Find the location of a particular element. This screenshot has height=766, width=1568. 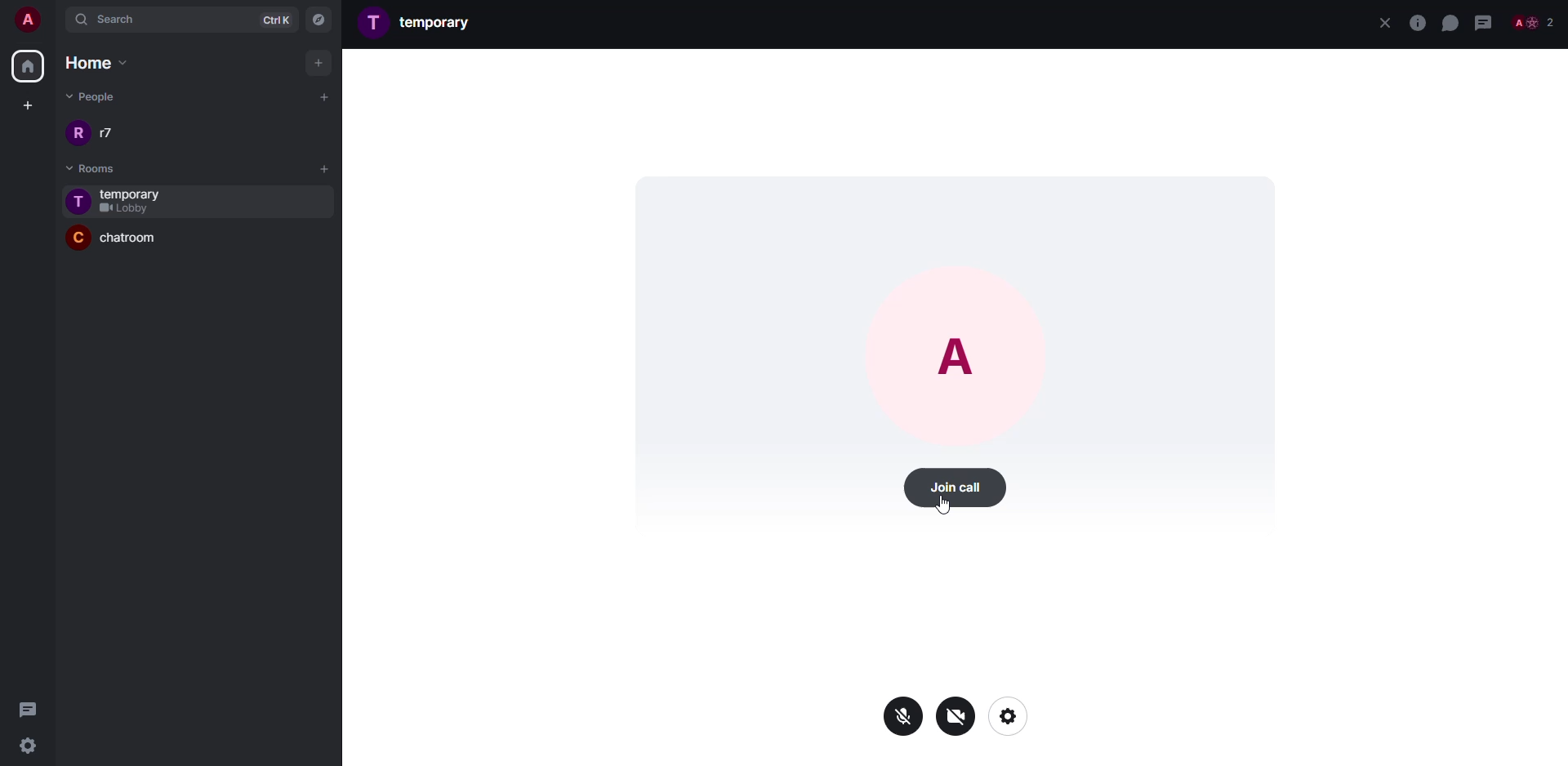

chat is located at coordinates (1450, 22).